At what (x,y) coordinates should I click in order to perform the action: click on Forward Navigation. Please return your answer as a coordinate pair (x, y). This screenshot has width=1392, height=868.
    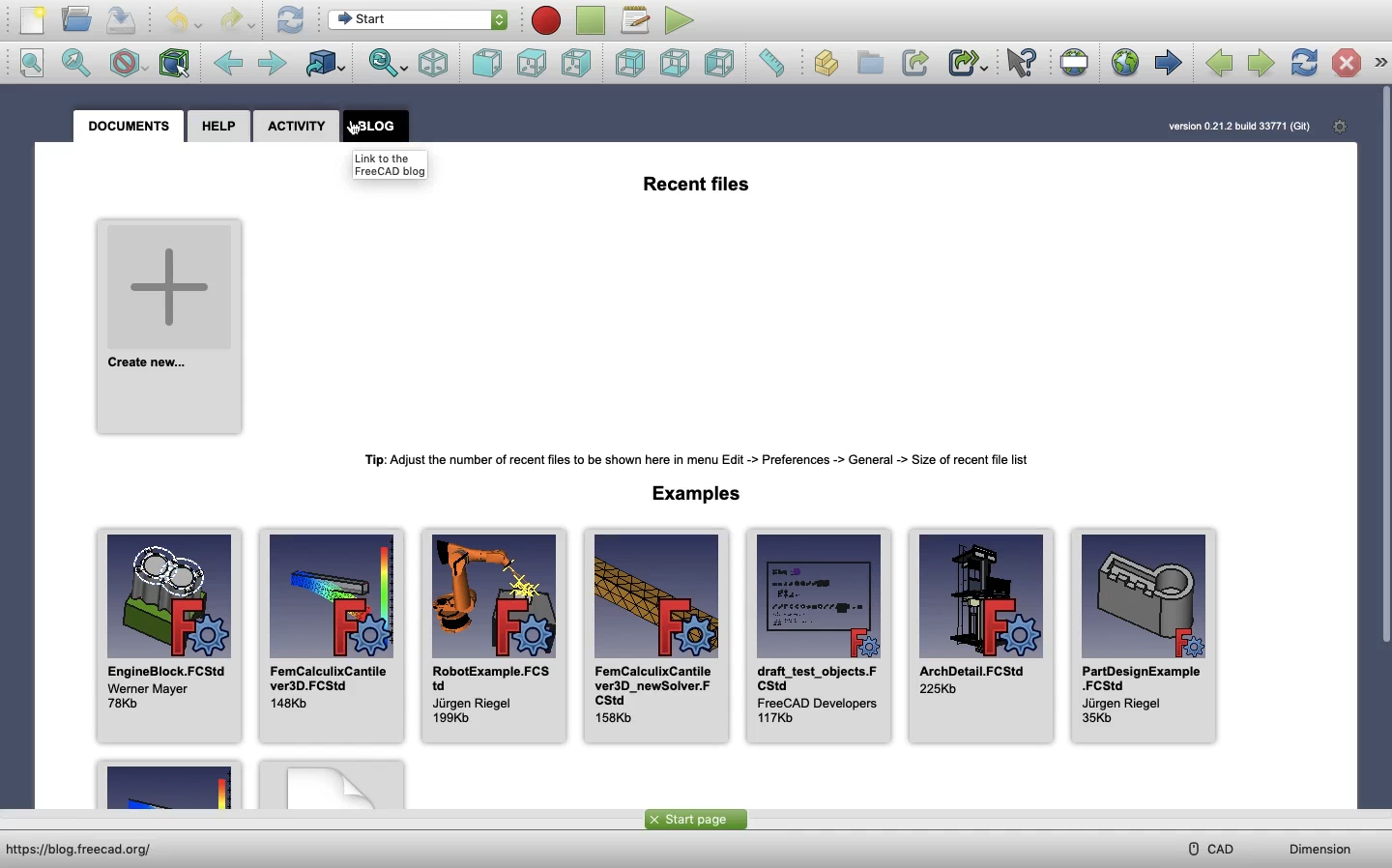
    Looking at the image, I should click on (1259, 63).